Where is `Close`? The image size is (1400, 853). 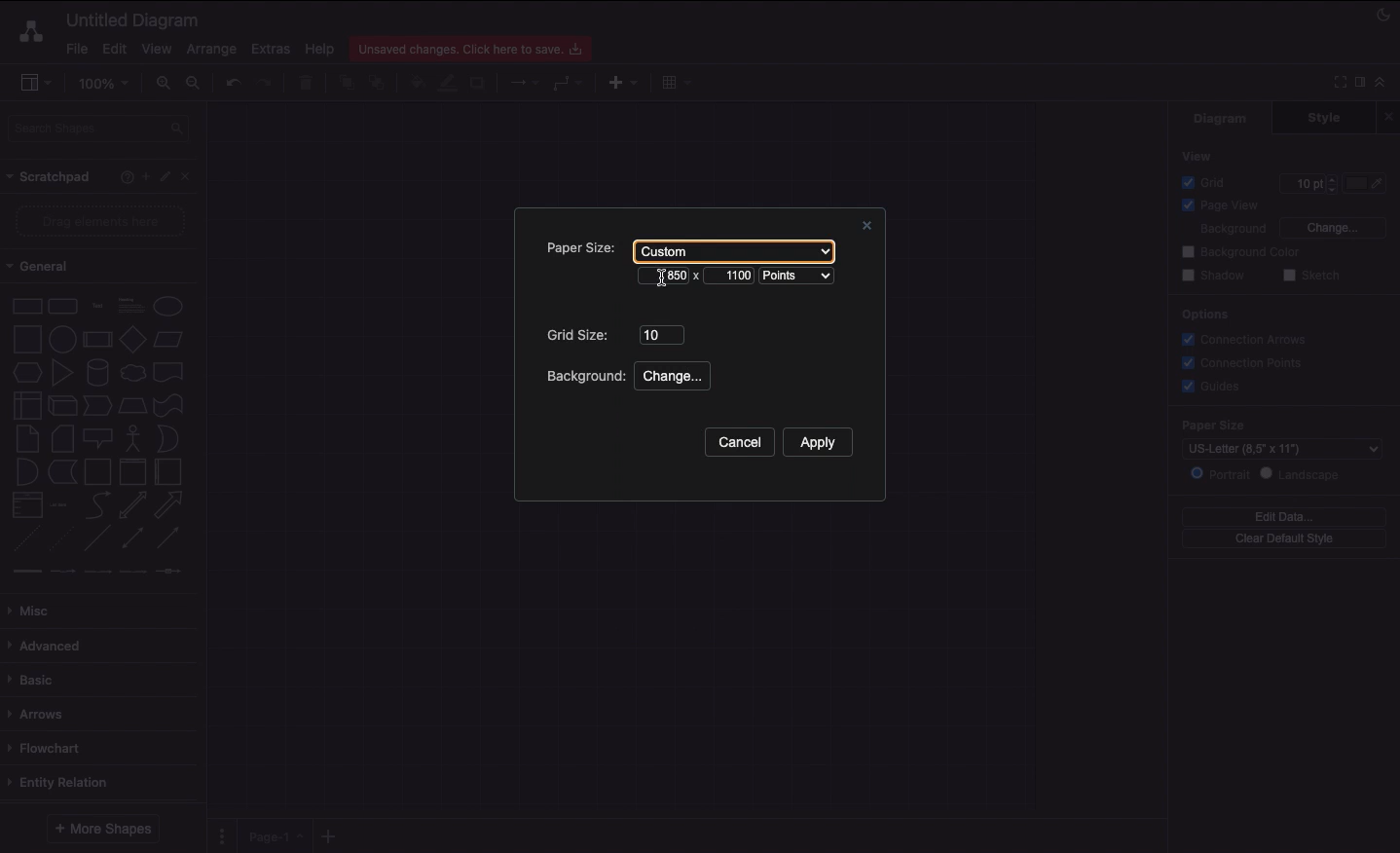
Close is located at coordinates (191, 175).